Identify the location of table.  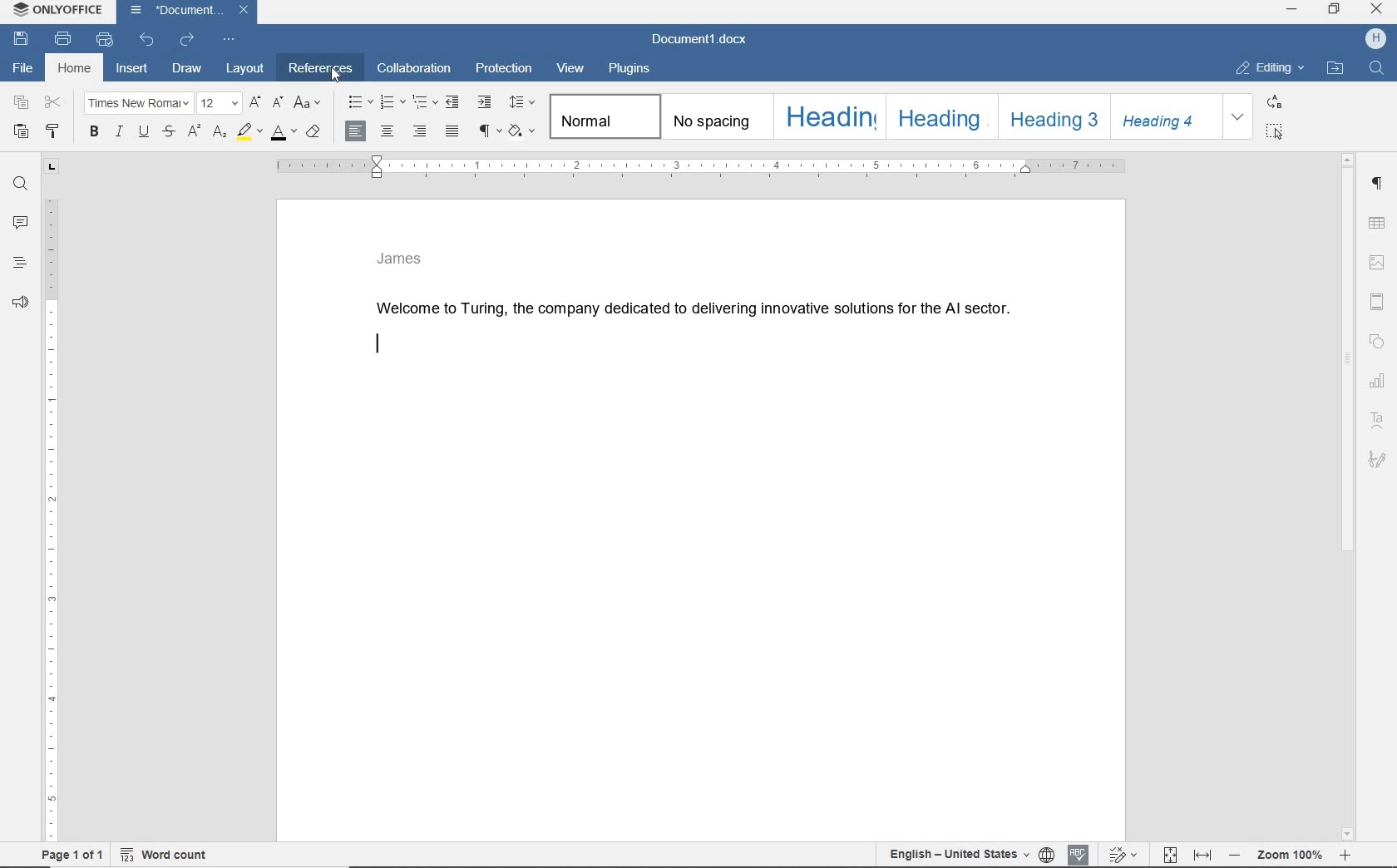
(1380, 222).